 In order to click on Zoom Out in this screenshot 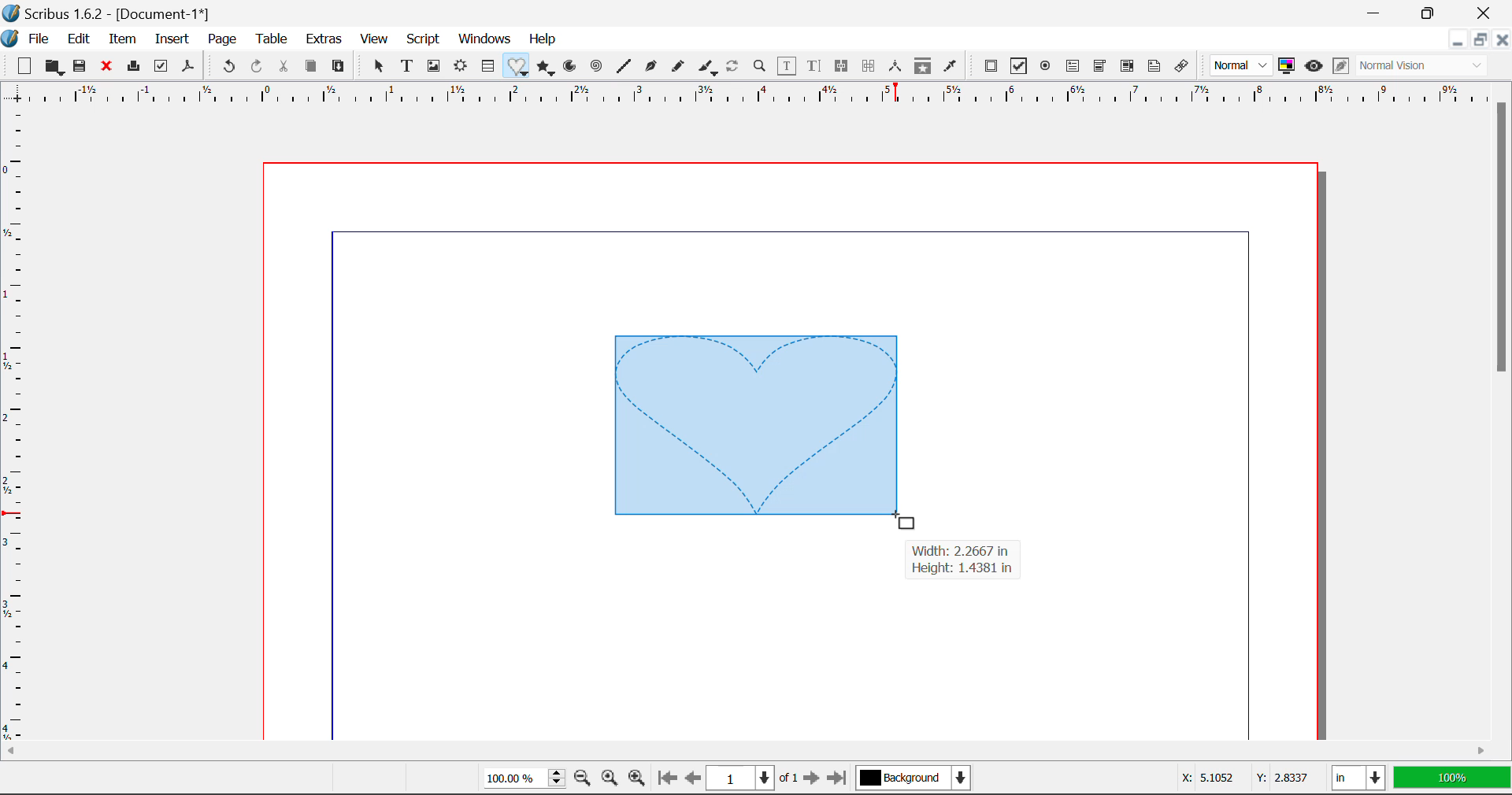, I will do `click(583, 779)`.